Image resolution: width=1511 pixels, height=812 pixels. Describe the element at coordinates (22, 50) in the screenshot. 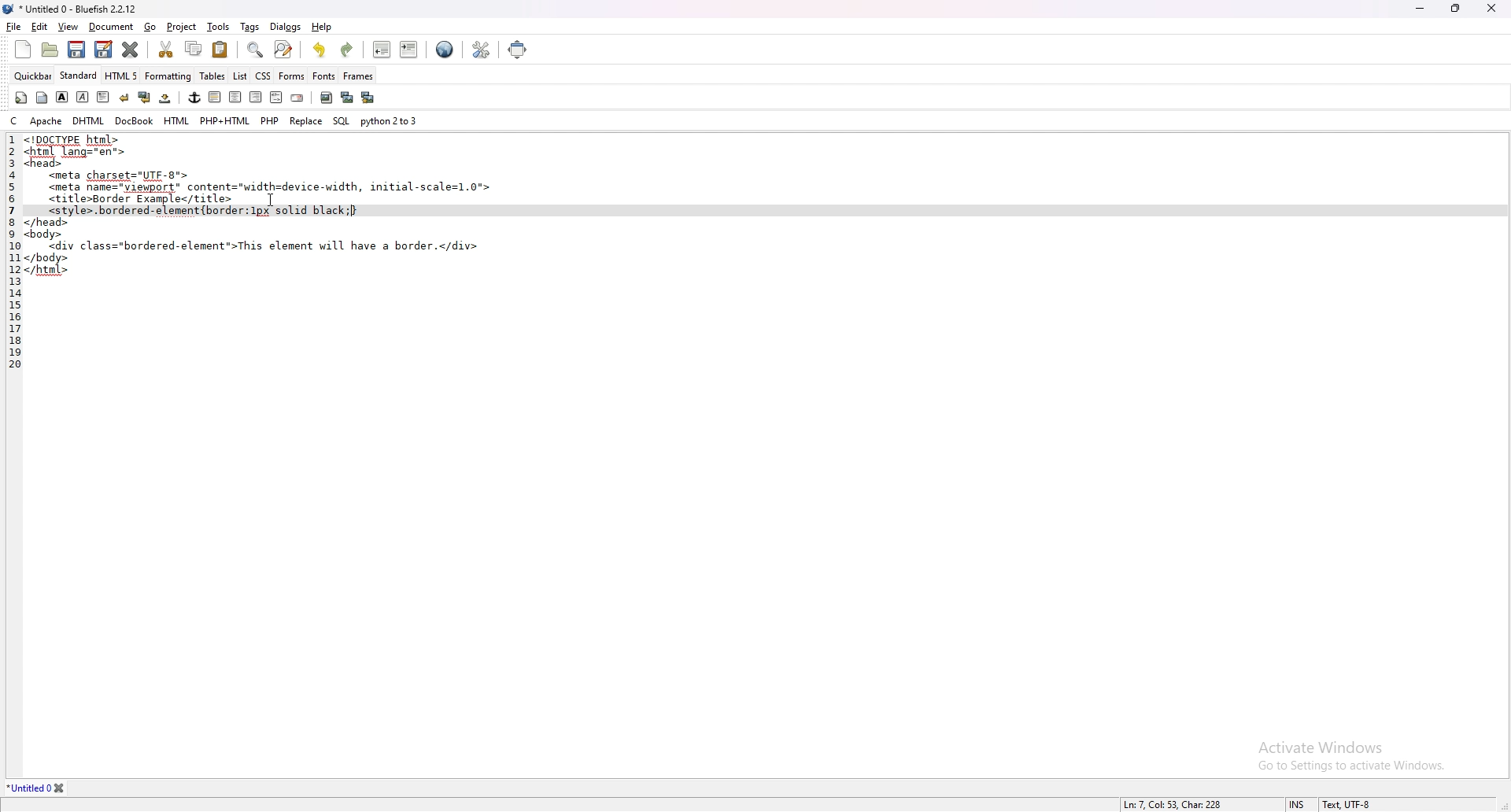

I see `new` at that location.